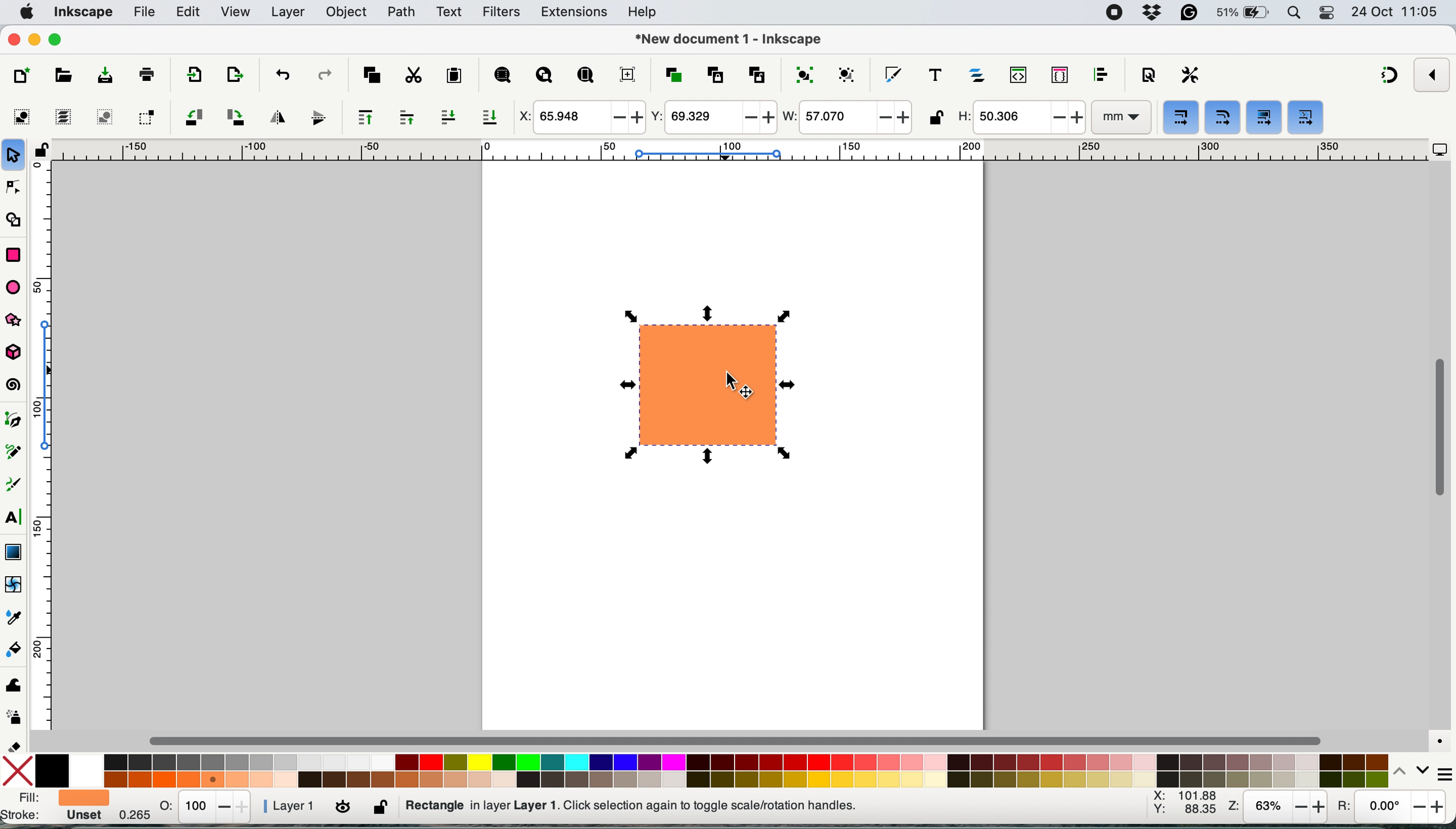  What do you see at coordinates (1060, 74) in the screenshot?
I see `selectors and css` at bounding box center [1060, 74].